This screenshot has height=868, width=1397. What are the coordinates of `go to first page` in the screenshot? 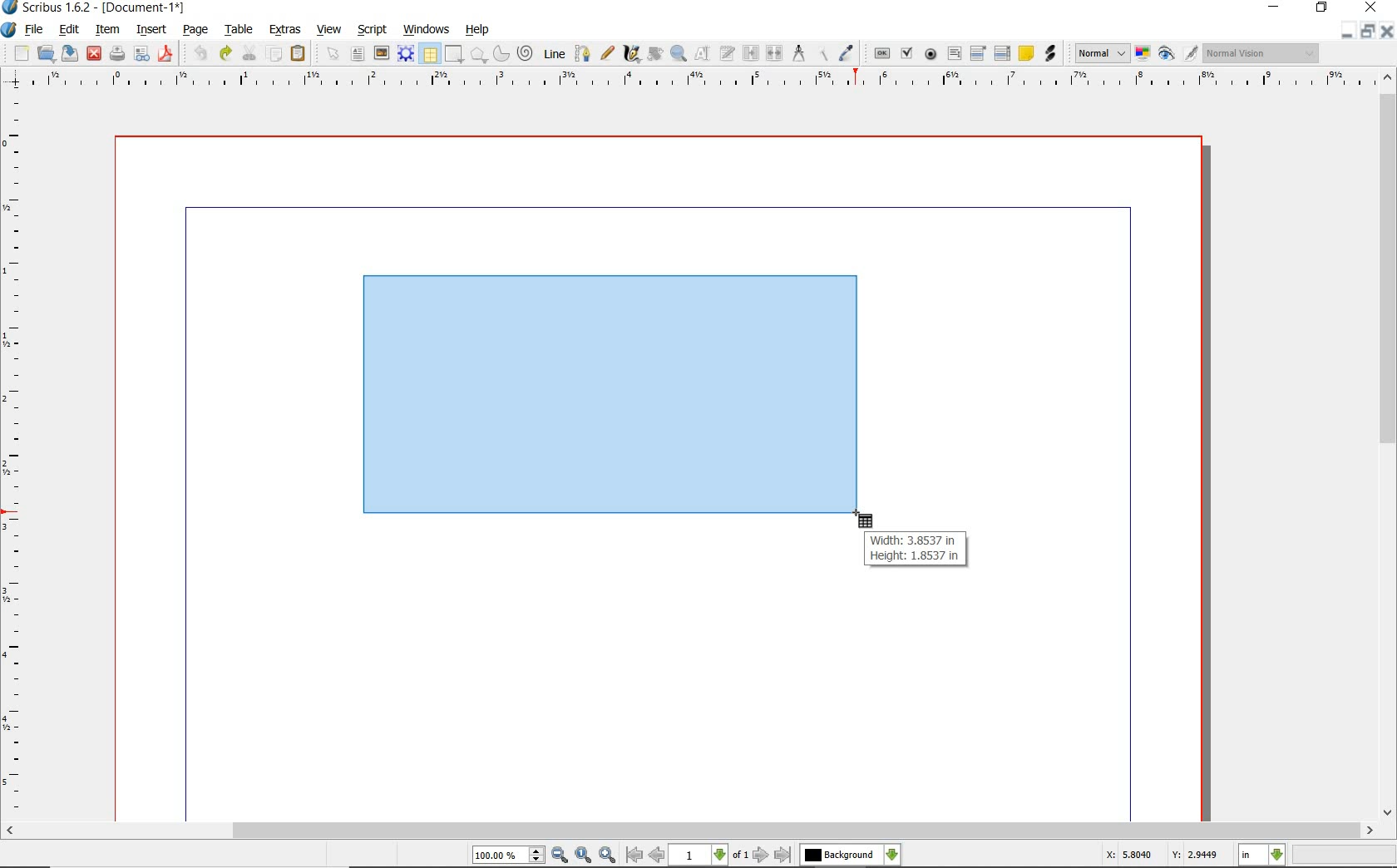 It's located at (634, 856).